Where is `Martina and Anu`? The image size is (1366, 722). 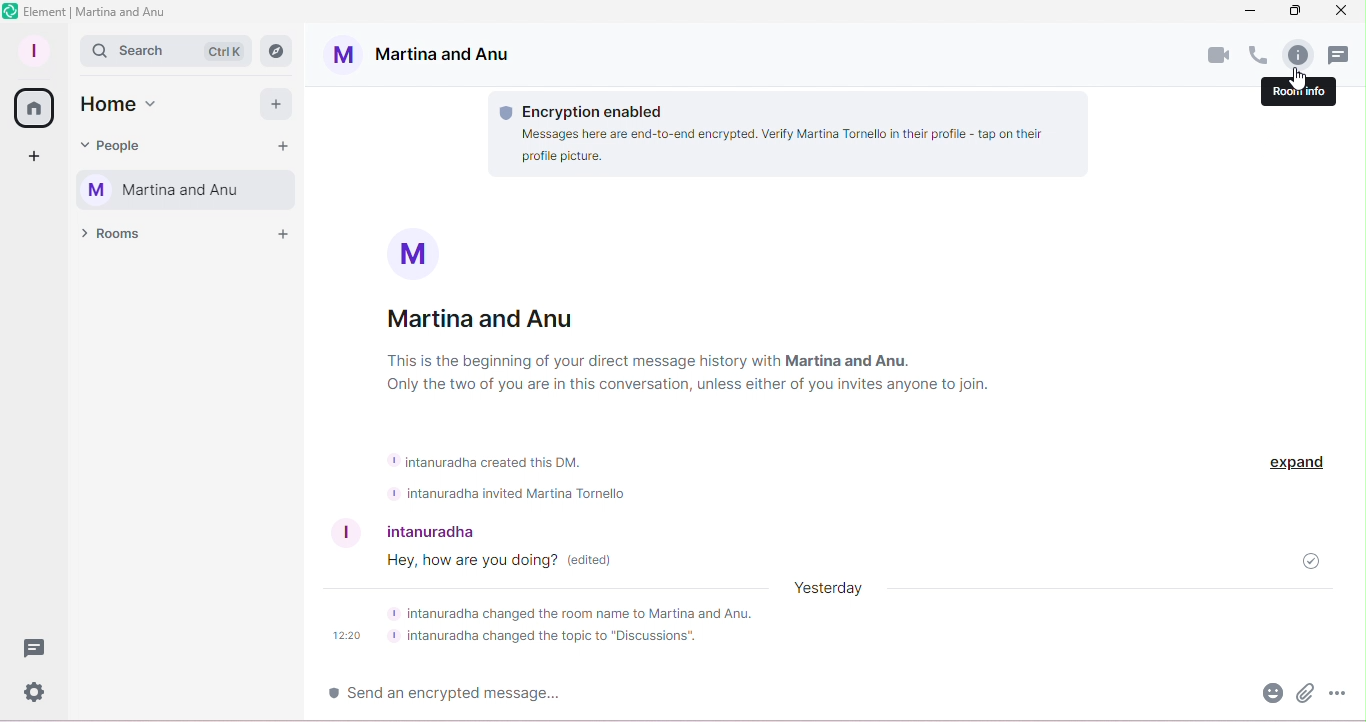 Martina and Anu is located at coordinates (182, 192).